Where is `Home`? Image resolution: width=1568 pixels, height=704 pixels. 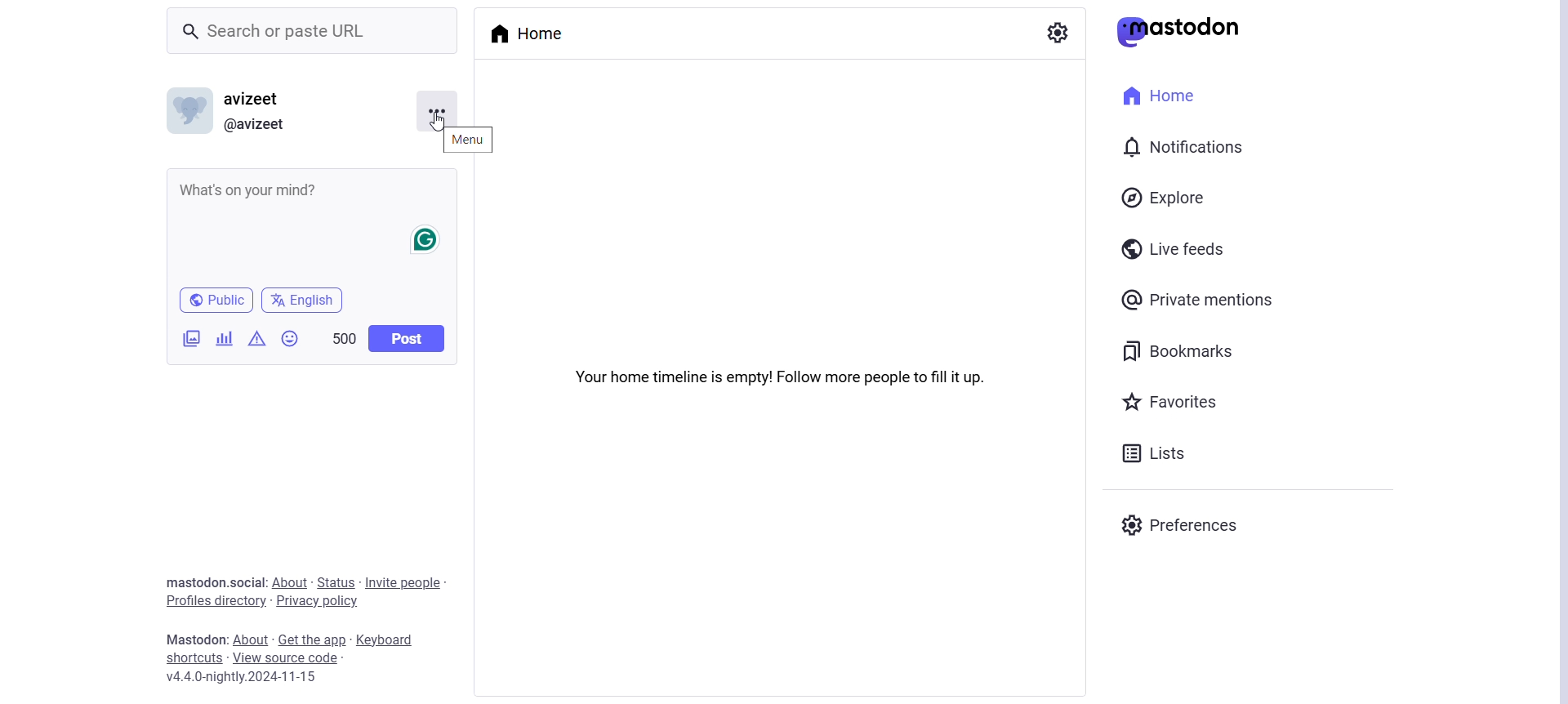
Home is located at coordinates (534, 34).